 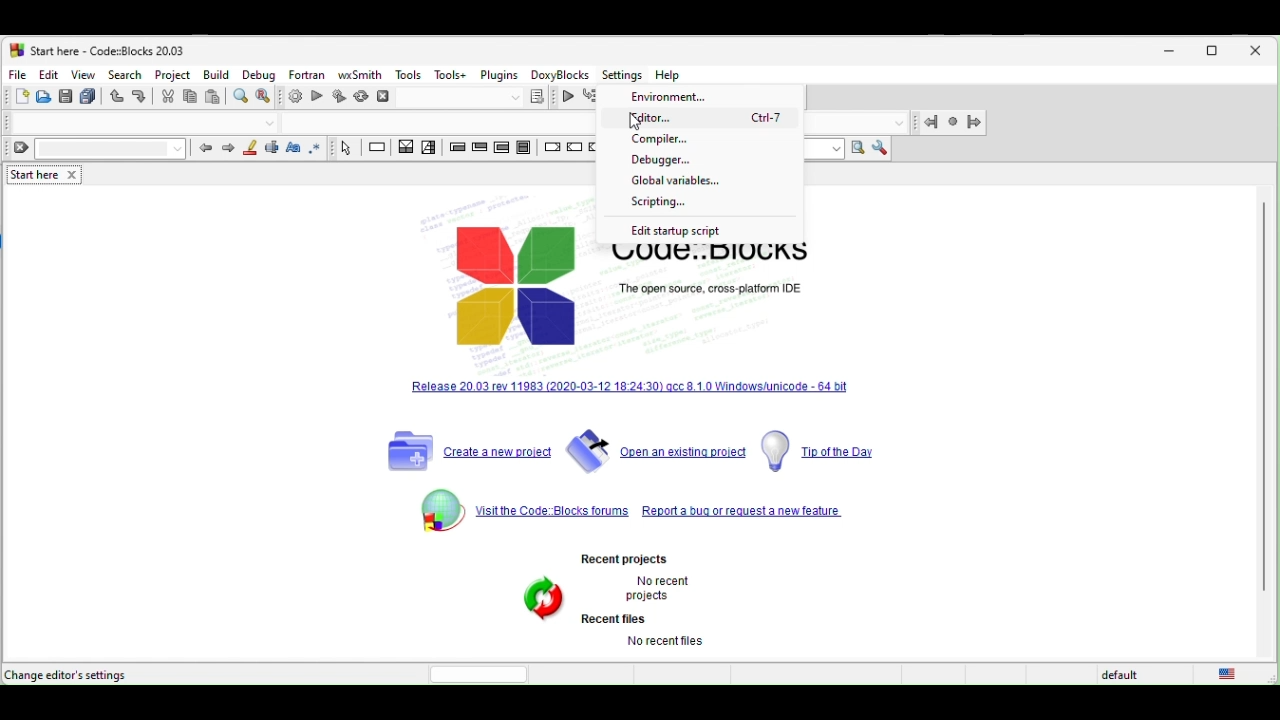 What do you see at coordinates (669, 75) in the screenshot?
I see `Help` at bounding box center [669, 75].